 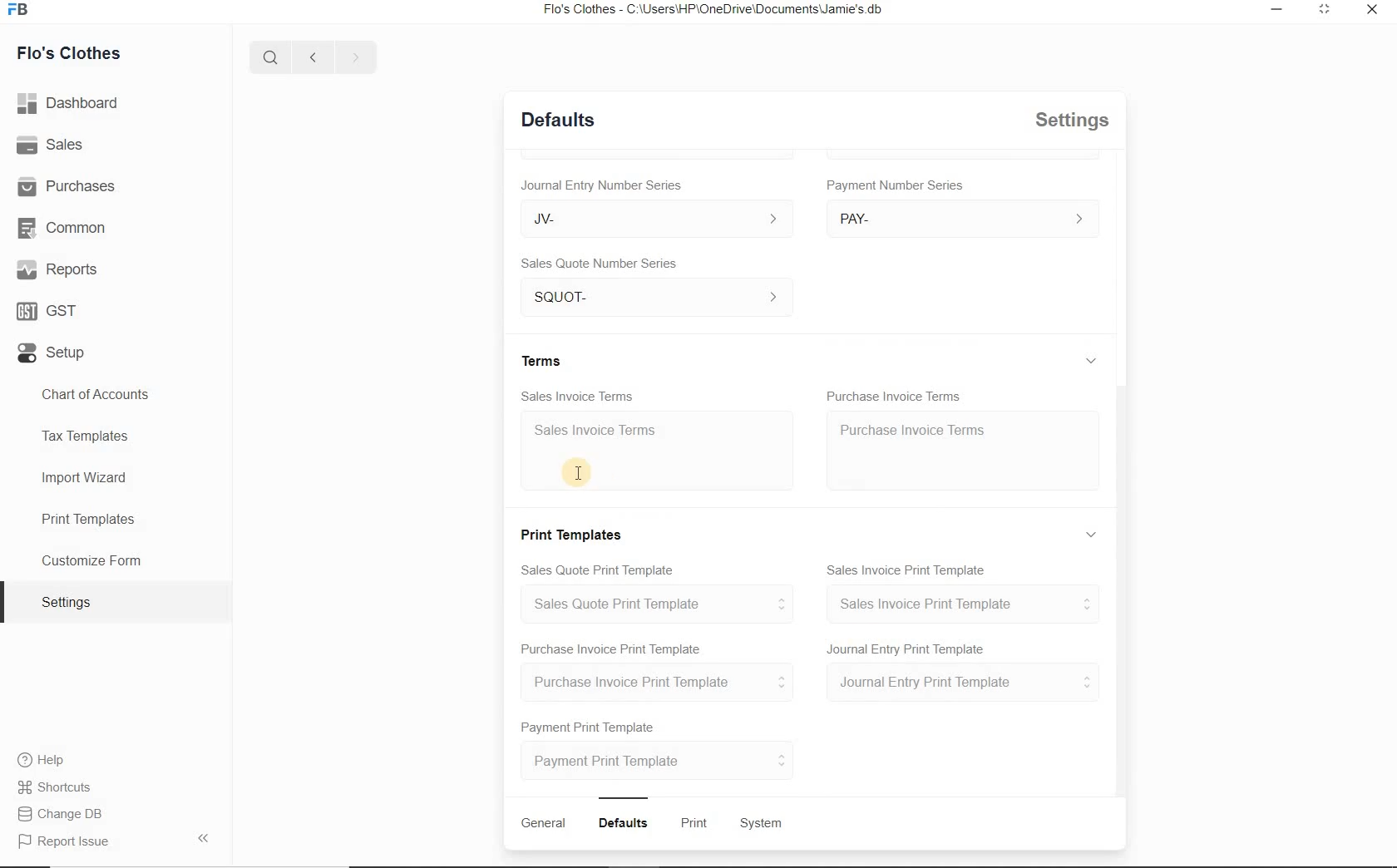 I want to click on Payment Print Template, so click(x=590, y=727).